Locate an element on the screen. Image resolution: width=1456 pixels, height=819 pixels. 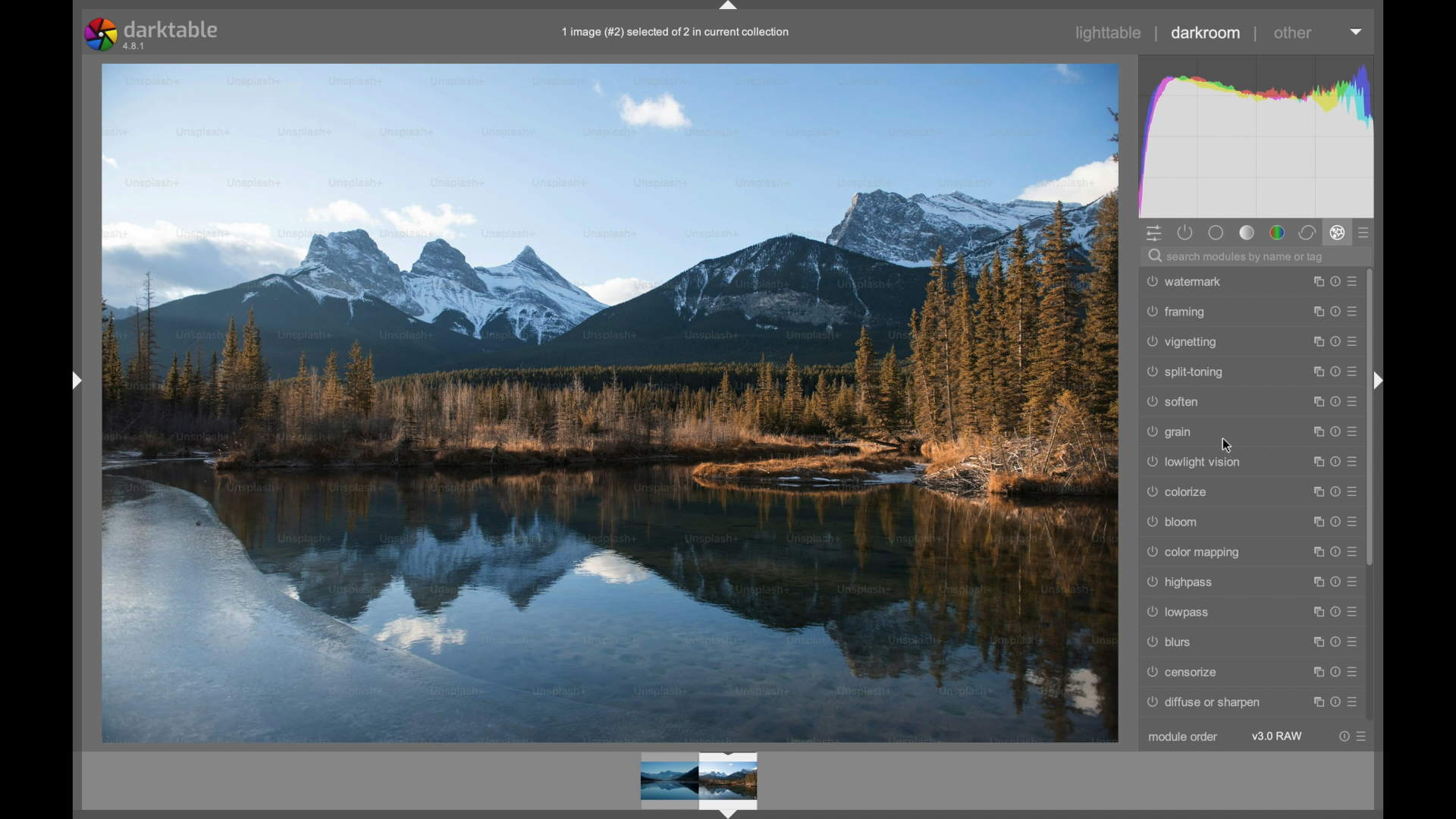
reset parameters is located at coordinates (1337, 642).